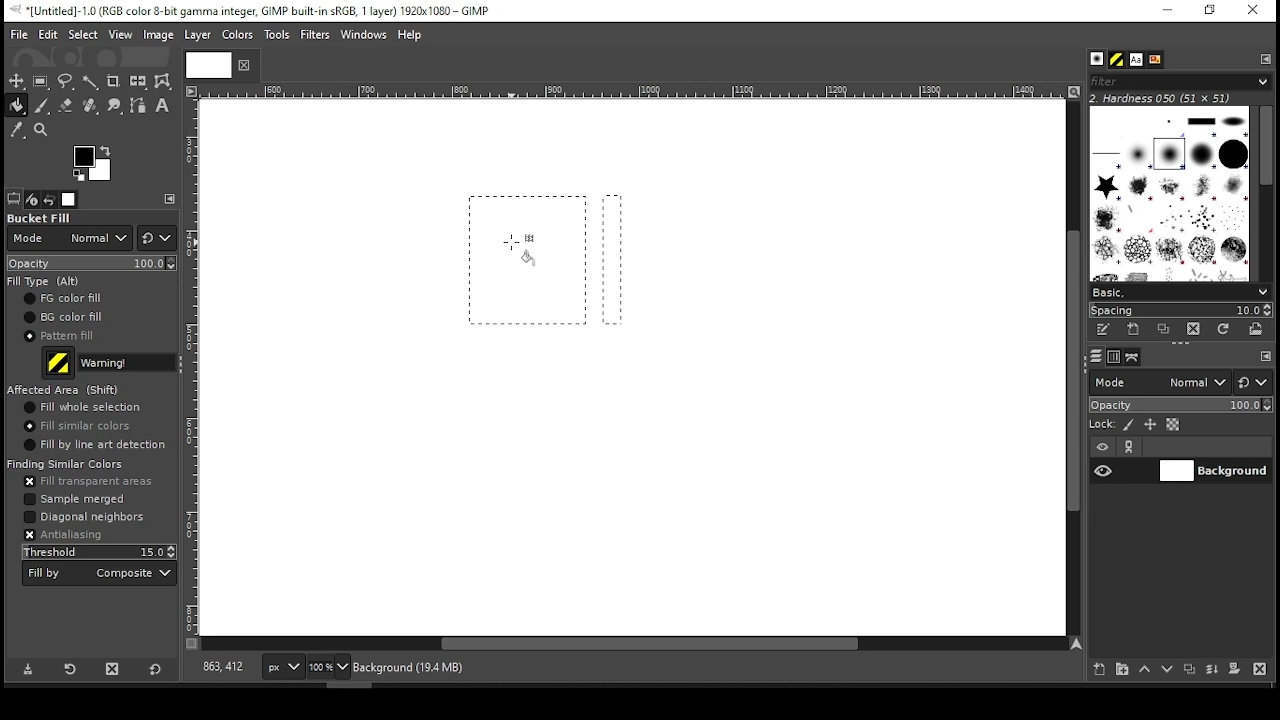 This screenshot has width=1280, height=720. I want to click on fill by line art detection, so click(99, 446).